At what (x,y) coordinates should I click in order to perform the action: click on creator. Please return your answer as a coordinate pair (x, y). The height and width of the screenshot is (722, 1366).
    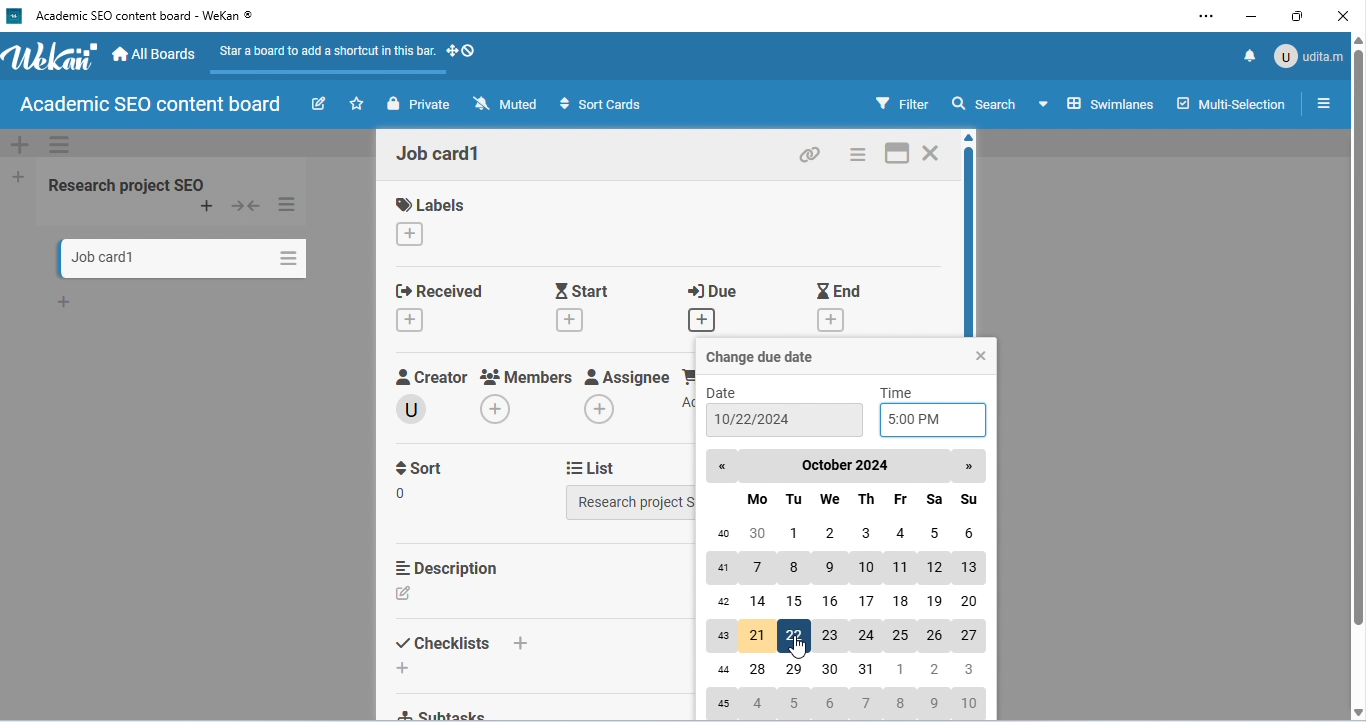
    Looking at the image, I should click on (435, 376).